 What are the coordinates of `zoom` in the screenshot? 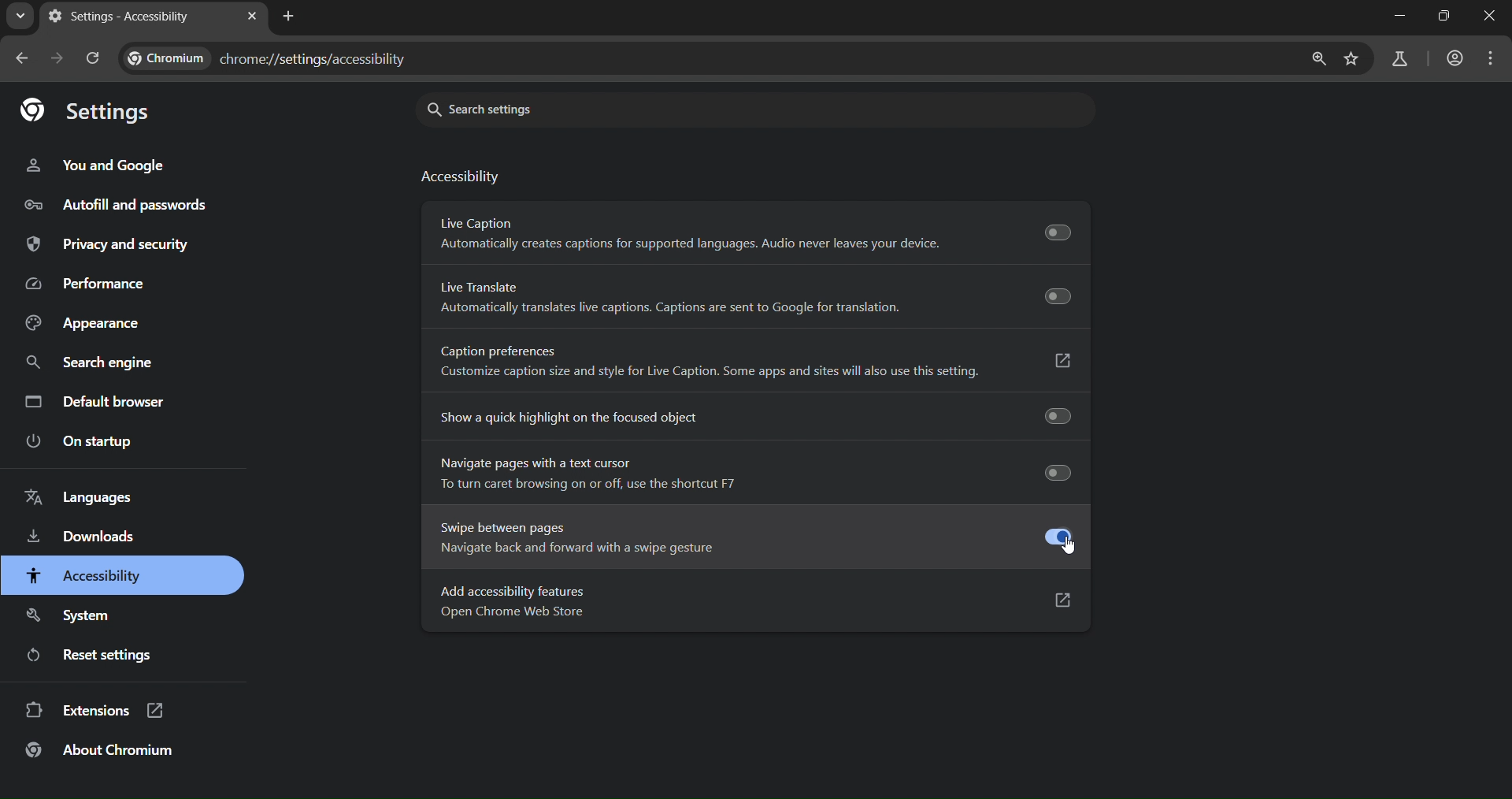 It's located at (1317, 60).